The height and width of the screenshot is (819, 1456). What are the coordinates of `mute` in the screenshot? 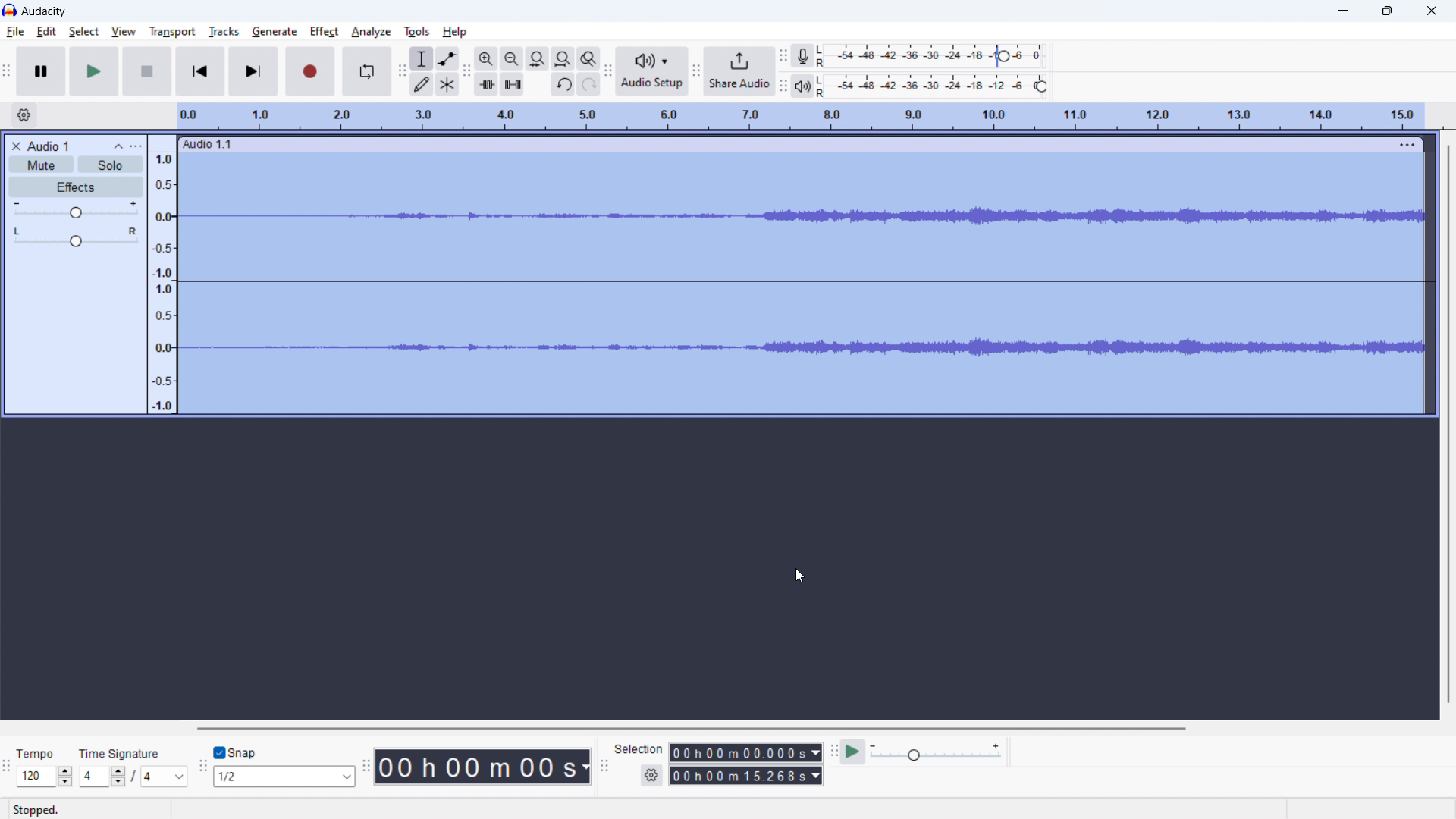 It's located at (41, 165).